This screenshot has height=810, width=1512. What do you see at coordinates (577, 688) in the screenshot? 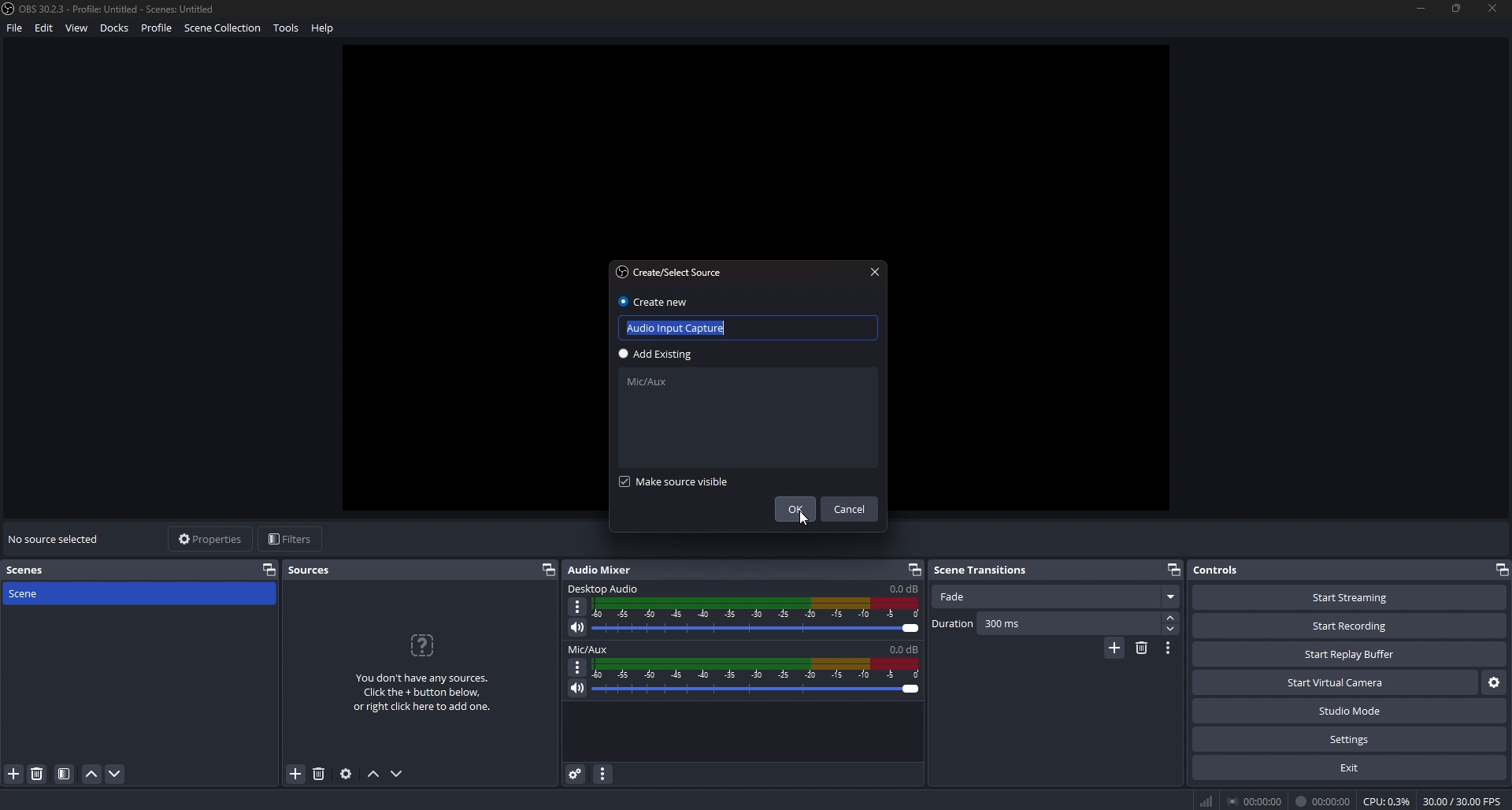
I see `mute` at bounding box center [577, 688].